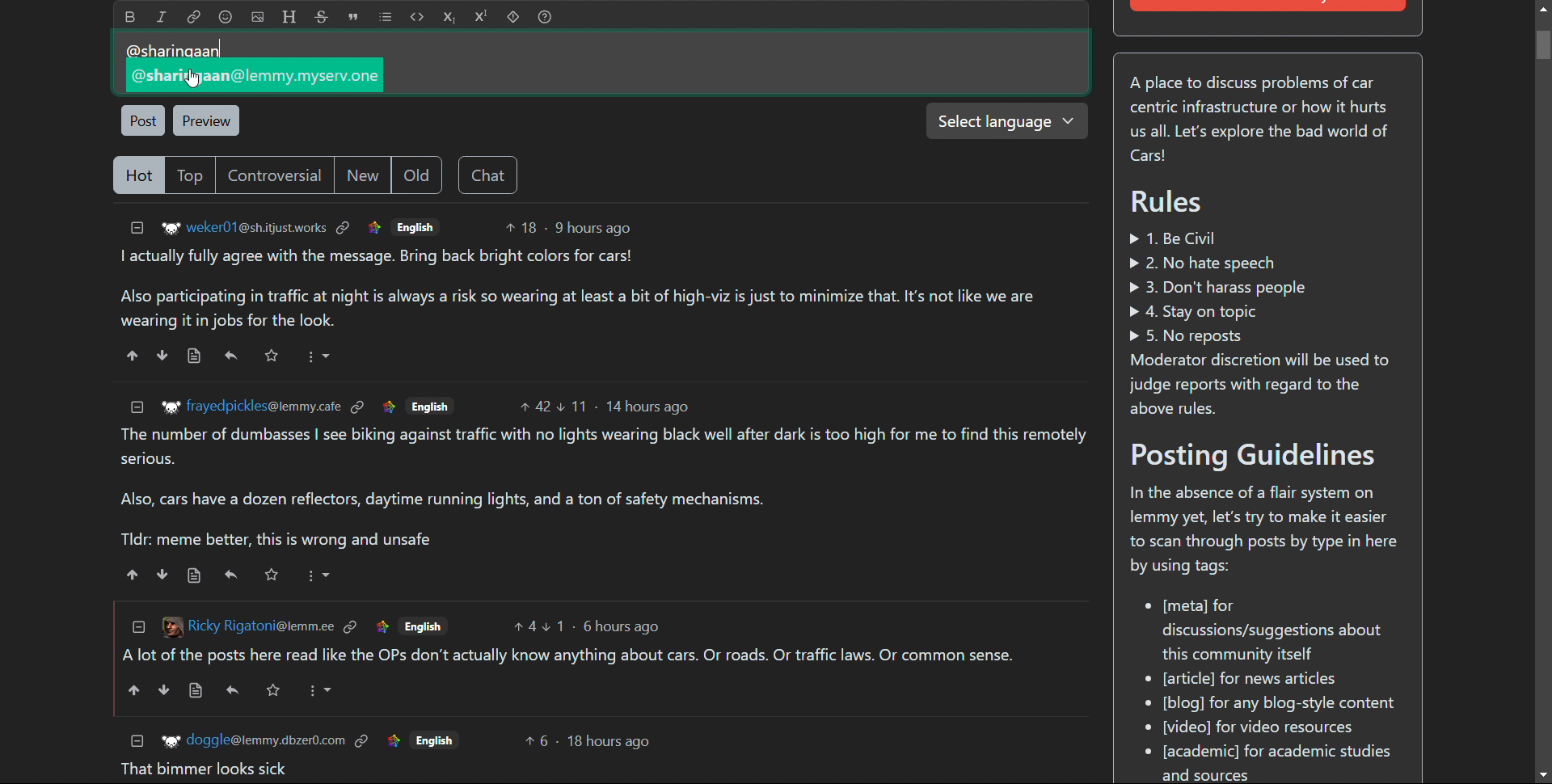 This screenshot has width=1552, height=784. I want to click on collapse, so click(137, 740).